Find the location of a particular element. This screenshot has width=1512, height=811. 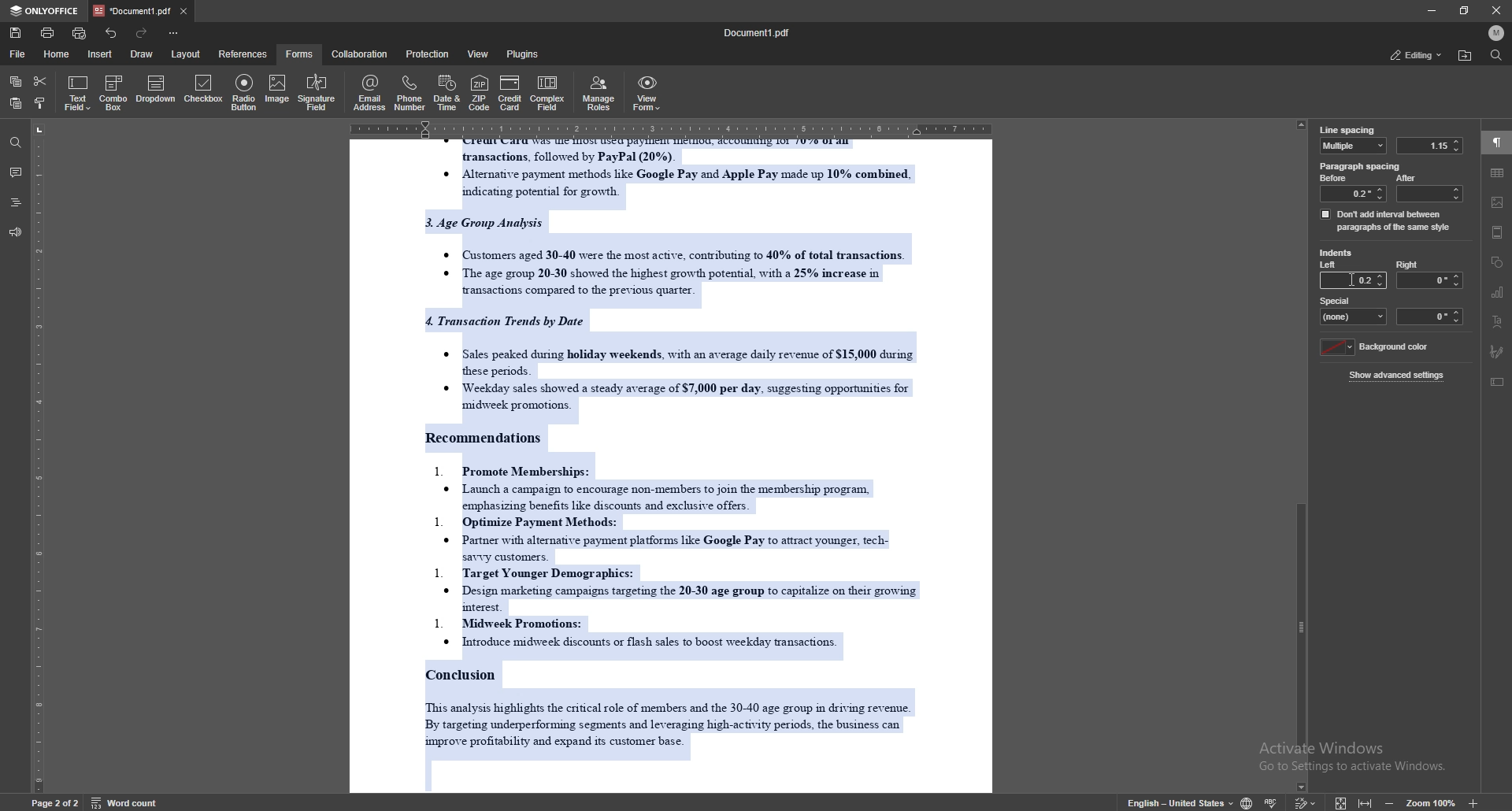

locate file is located at coordinates (1465, 56).